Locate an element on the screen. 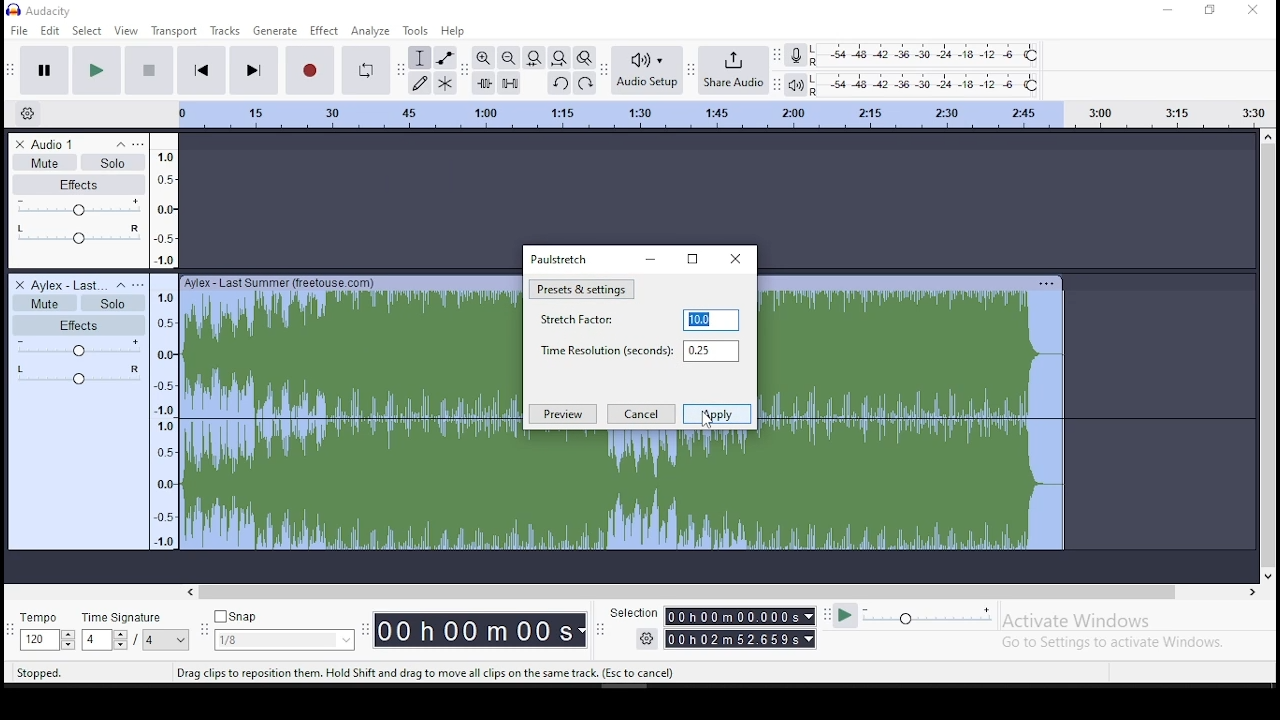  minimize is located at coordinates (651, 259).